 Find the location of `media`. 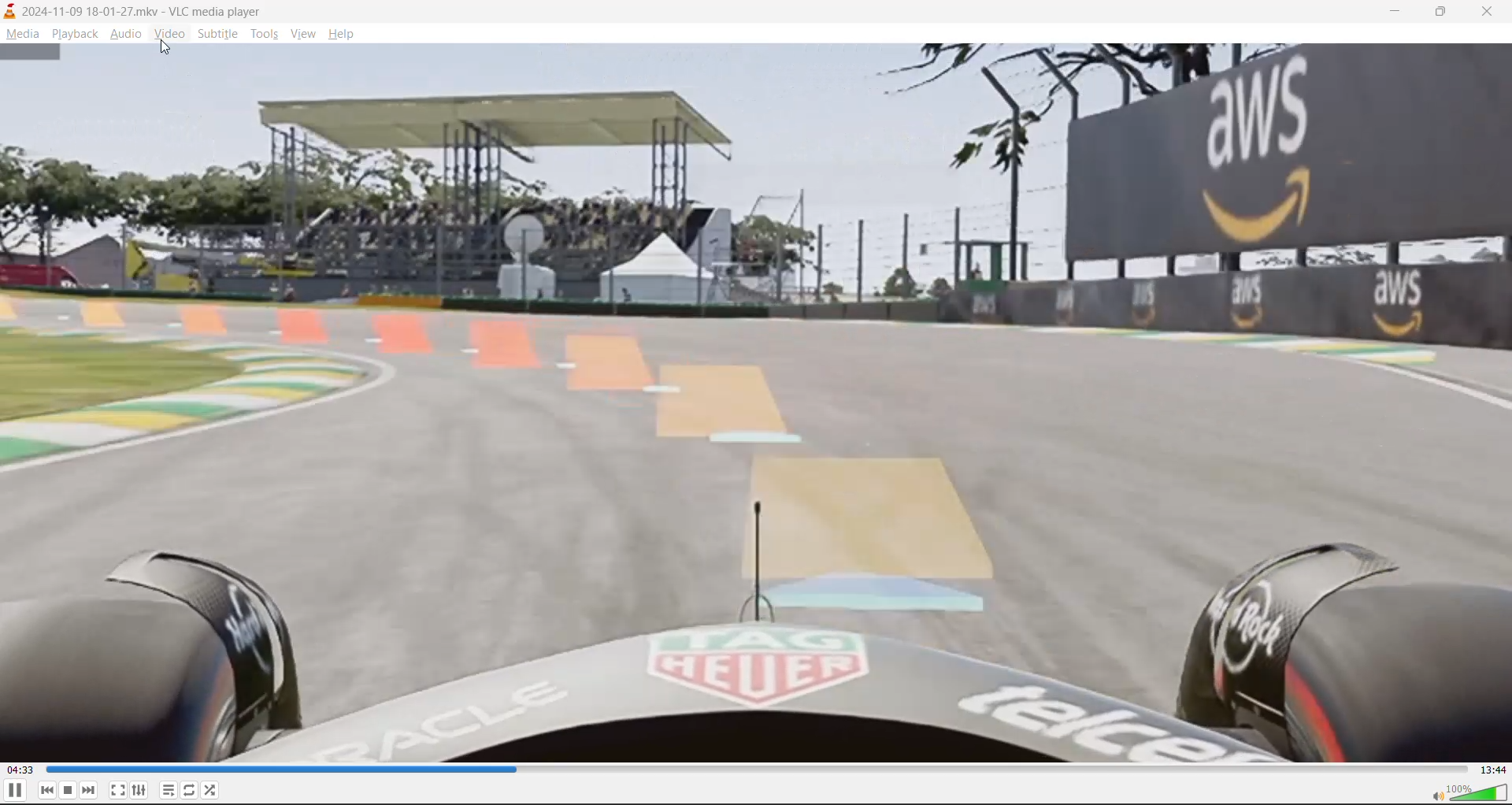

media is located at coordinates (20, 34).